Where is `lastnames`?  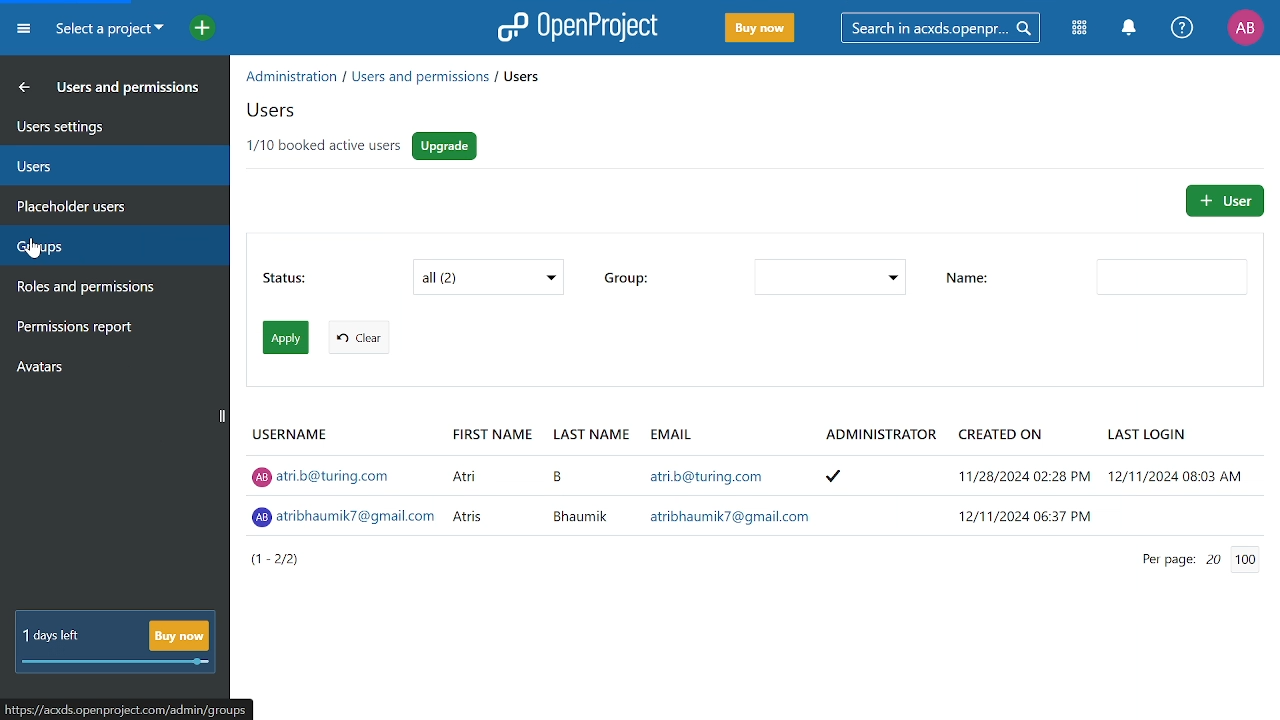 lastnames is located at coordinates (576, 500).